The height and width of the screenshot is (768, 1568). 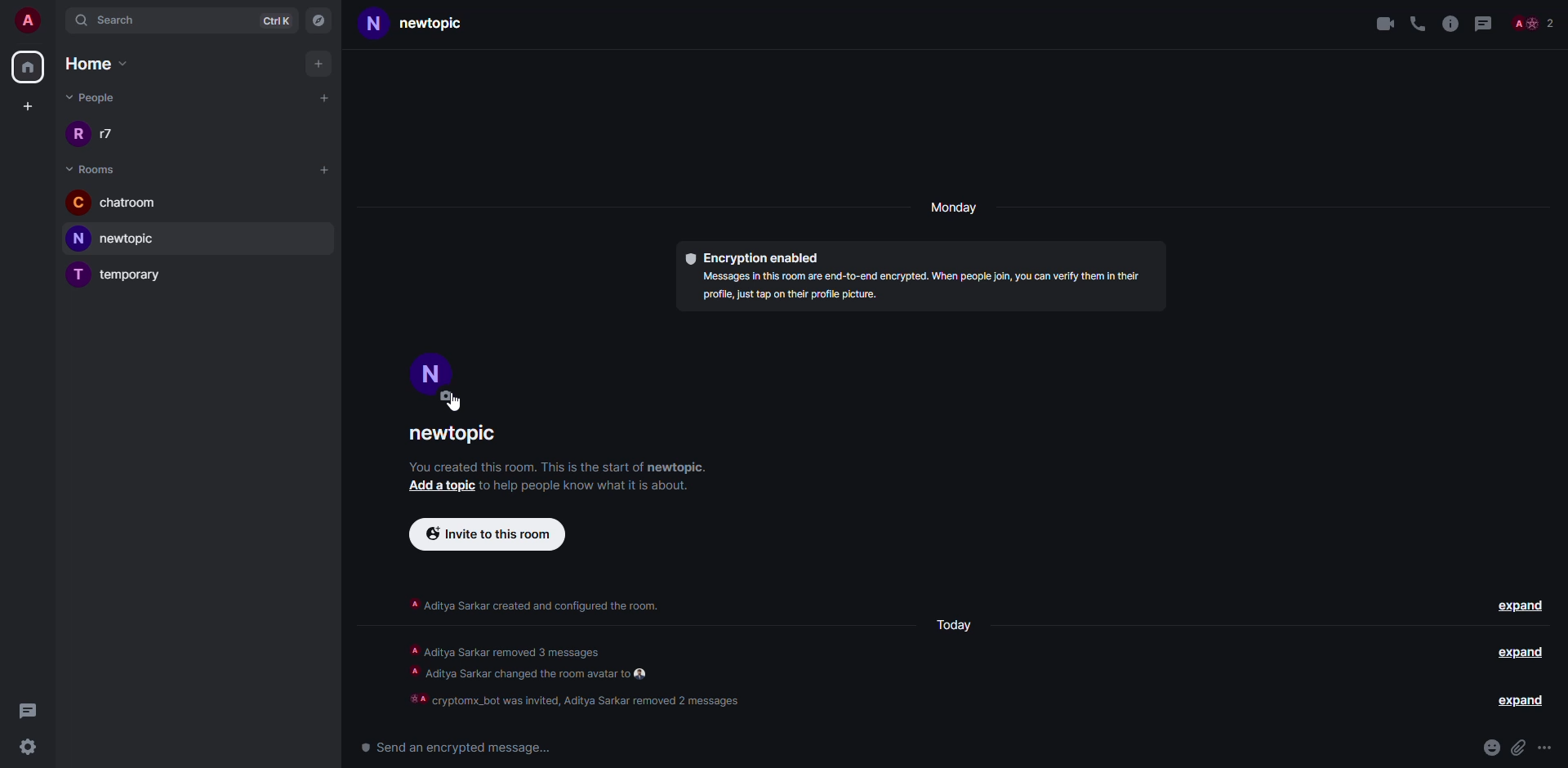 I want to click on encryption enabled, so click(x=751, y=257).